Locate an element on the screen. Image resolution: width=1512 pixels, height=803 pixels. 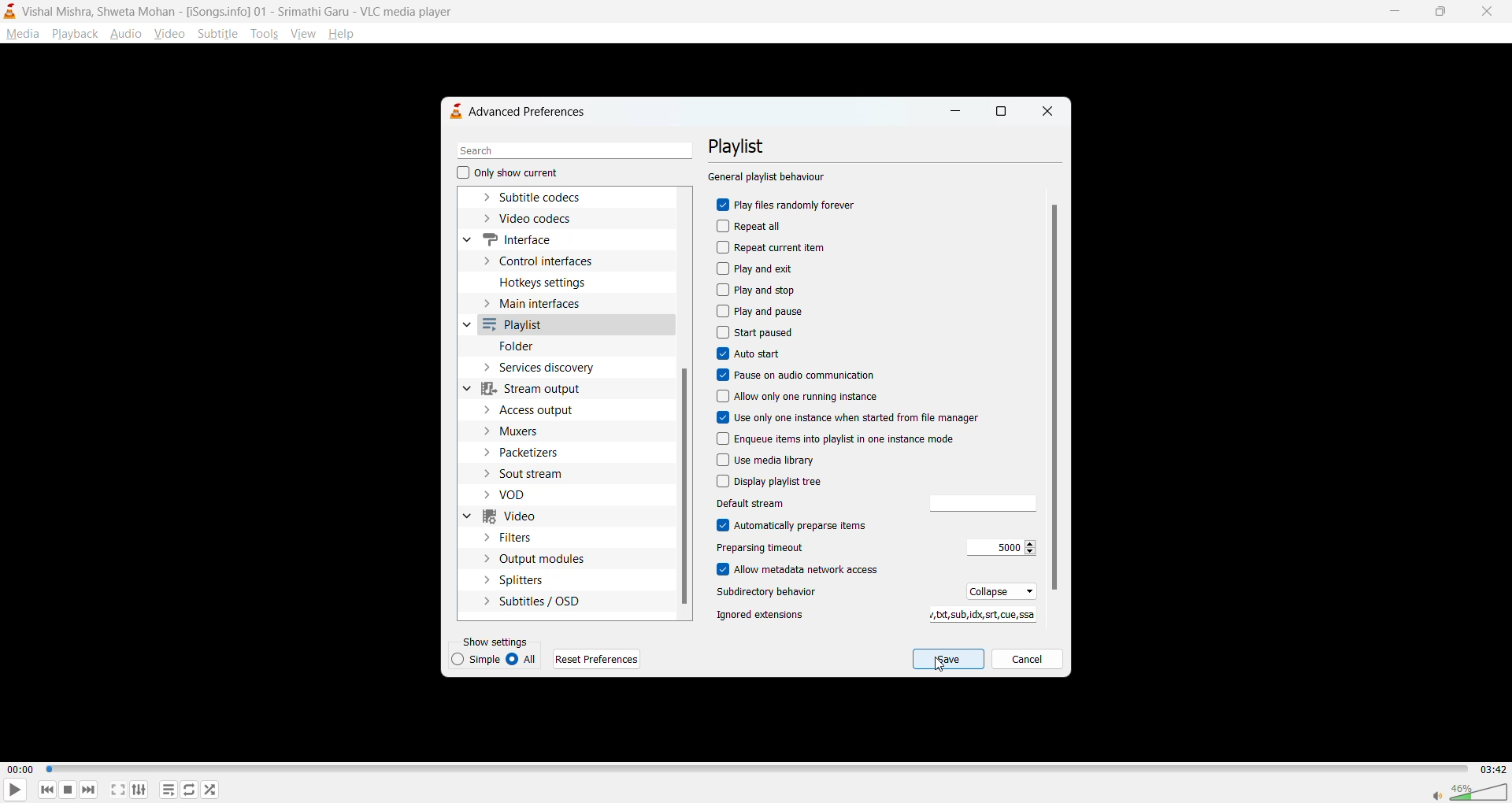
packetizers is located at coordinates (532, 453).